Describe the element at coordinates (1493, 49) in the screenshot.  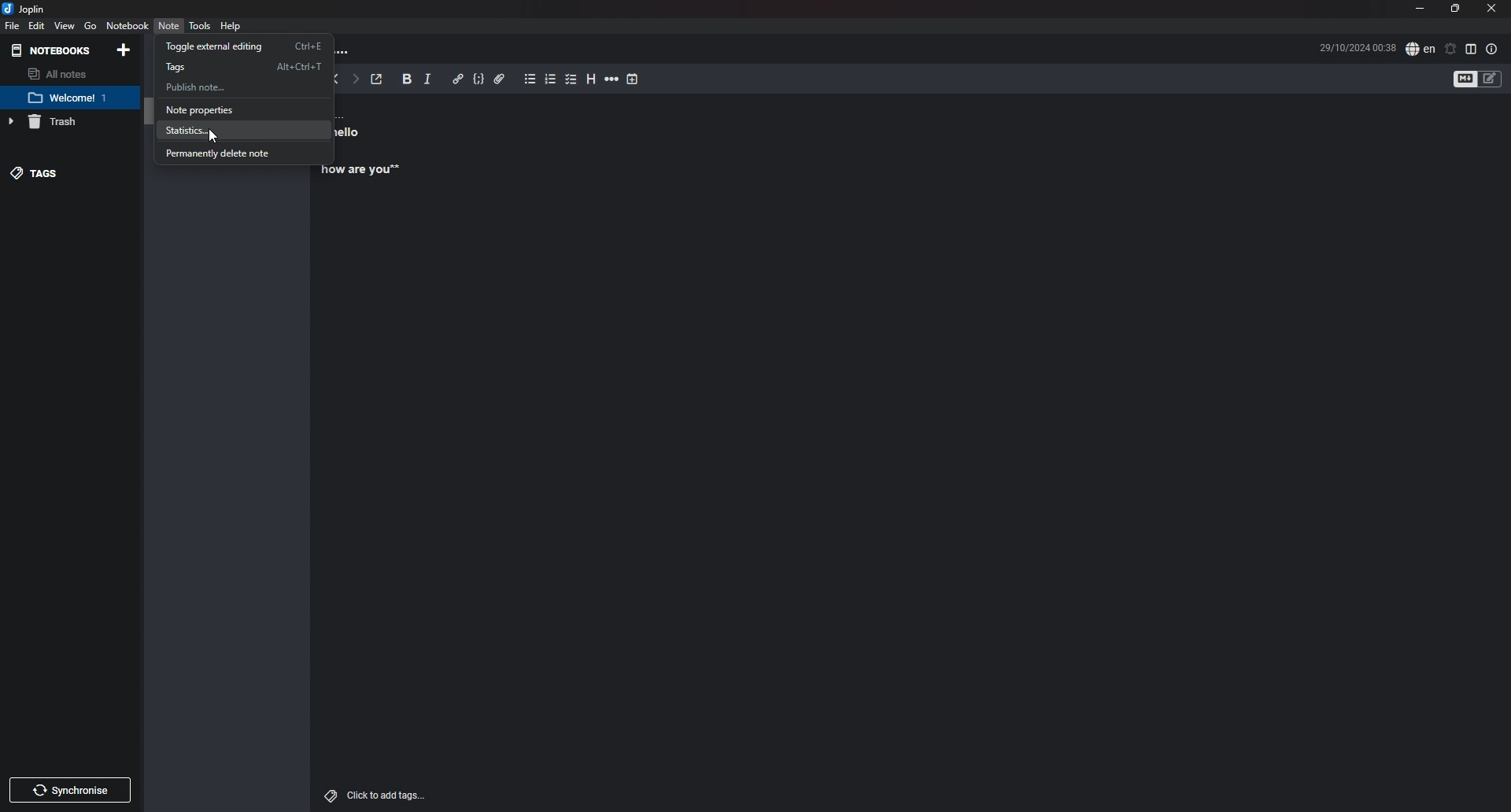
I see `Properties` at that location.